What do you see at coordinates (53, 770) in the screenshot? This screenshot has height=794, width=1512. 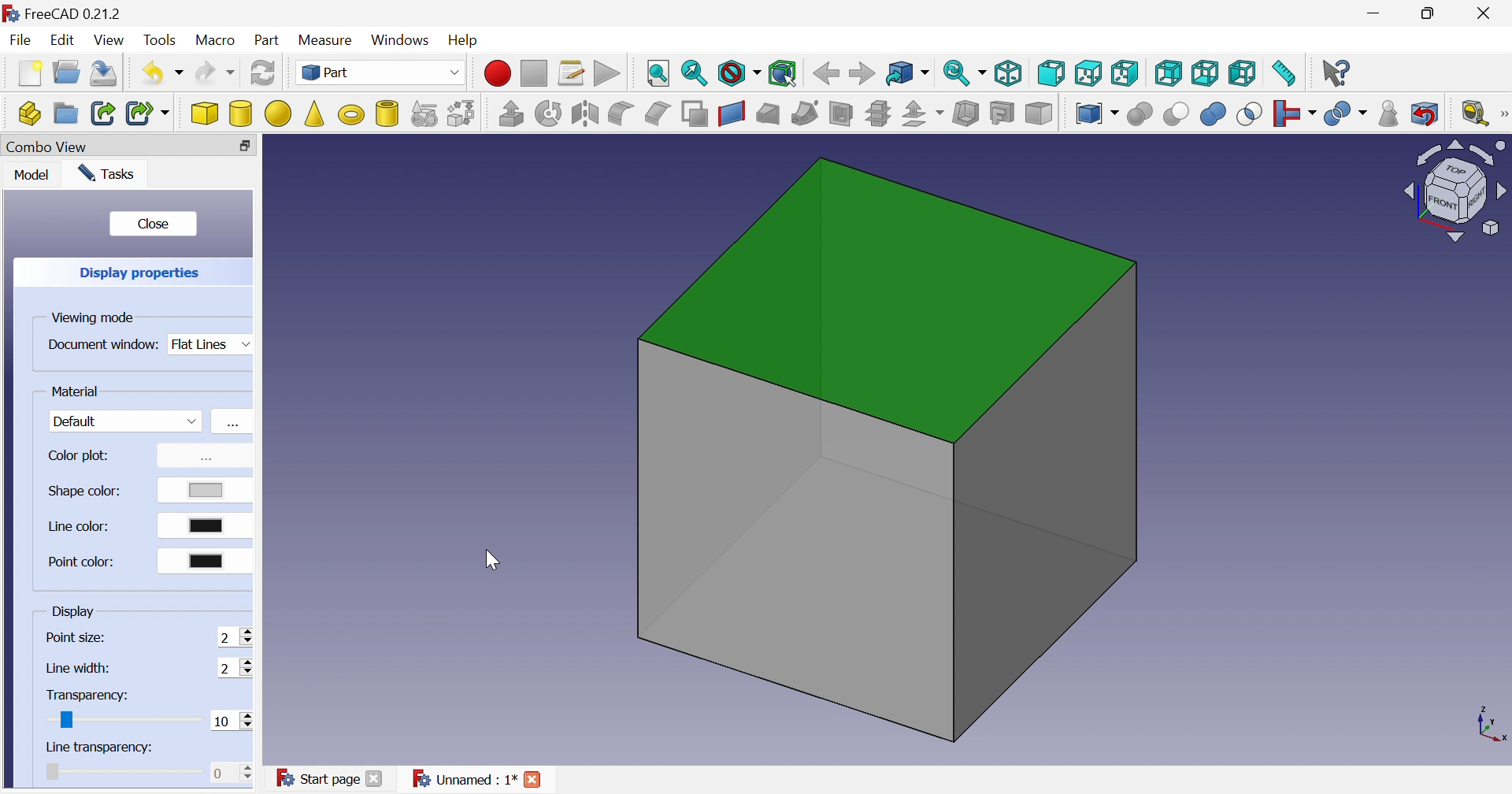 I see `Slider` at bounding box center [53, 770].